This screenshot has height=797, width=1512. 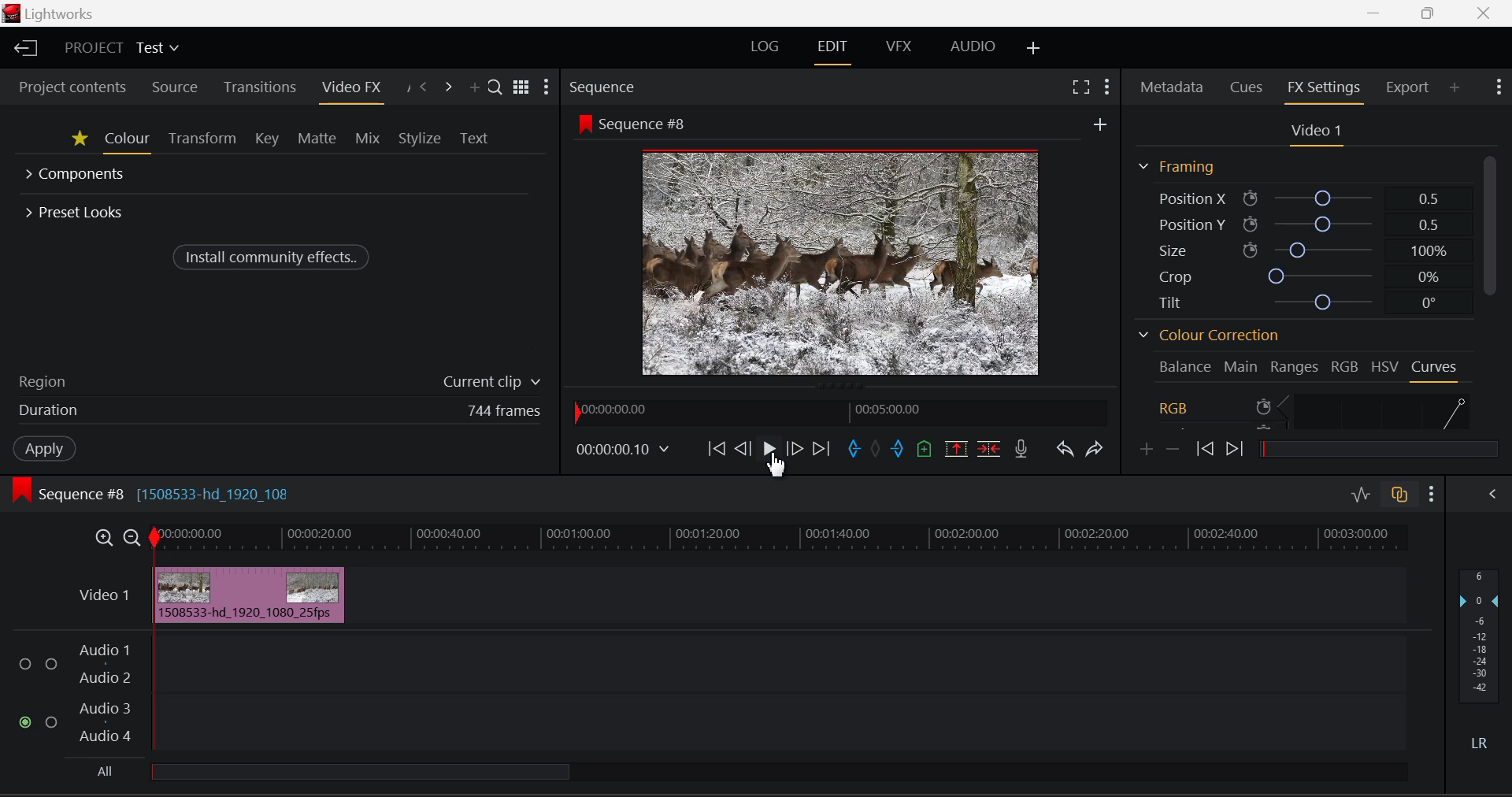 What do you see at coordinates (1376, 13) in the screenshot?
I see `Restore Down` at bounding box center [1376, 13].